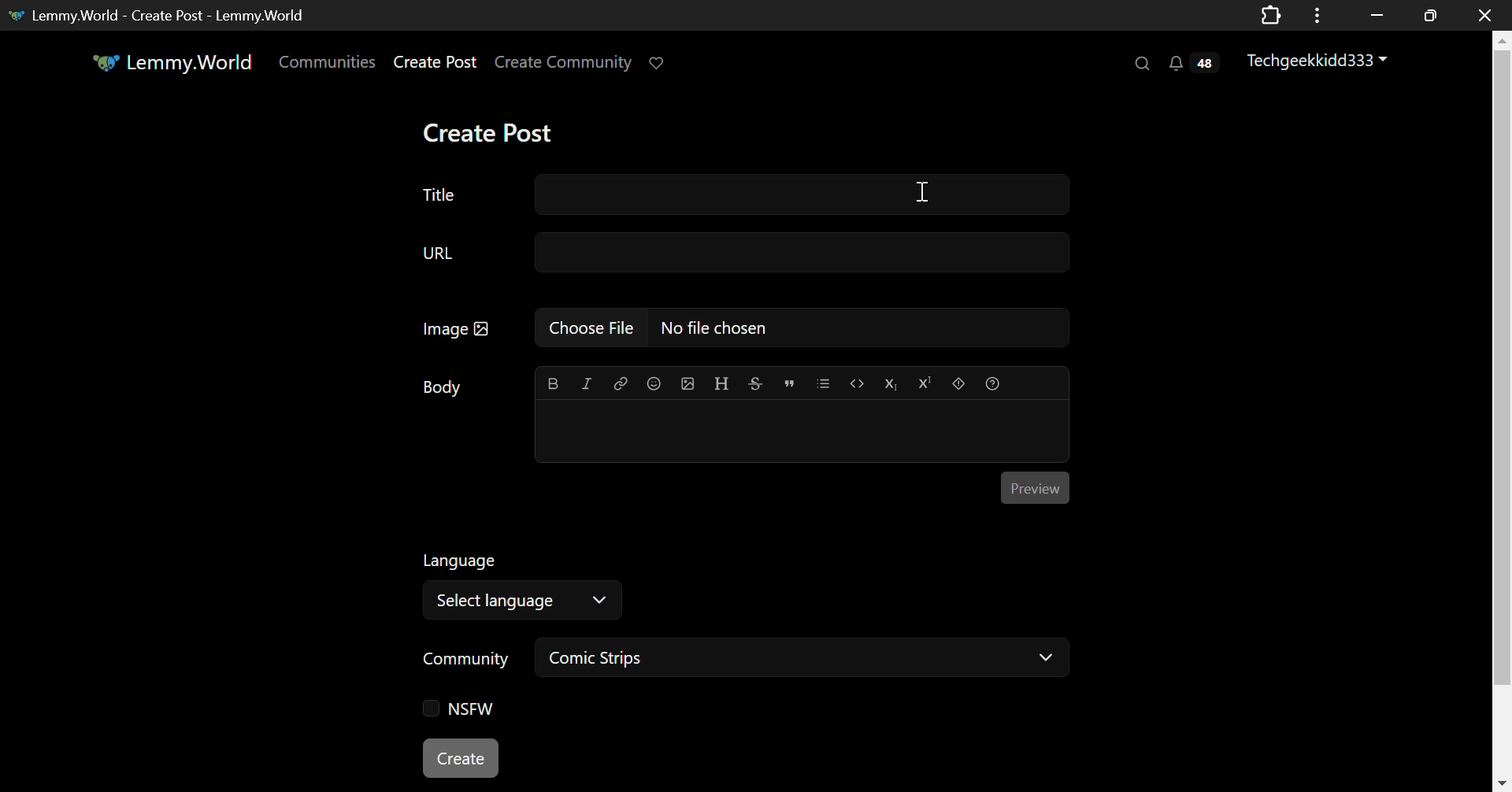 The image size is (1512, 792). Describe the element at coordinates (172, 65) in the screenshot. I see `Lemmy.World` at that location.